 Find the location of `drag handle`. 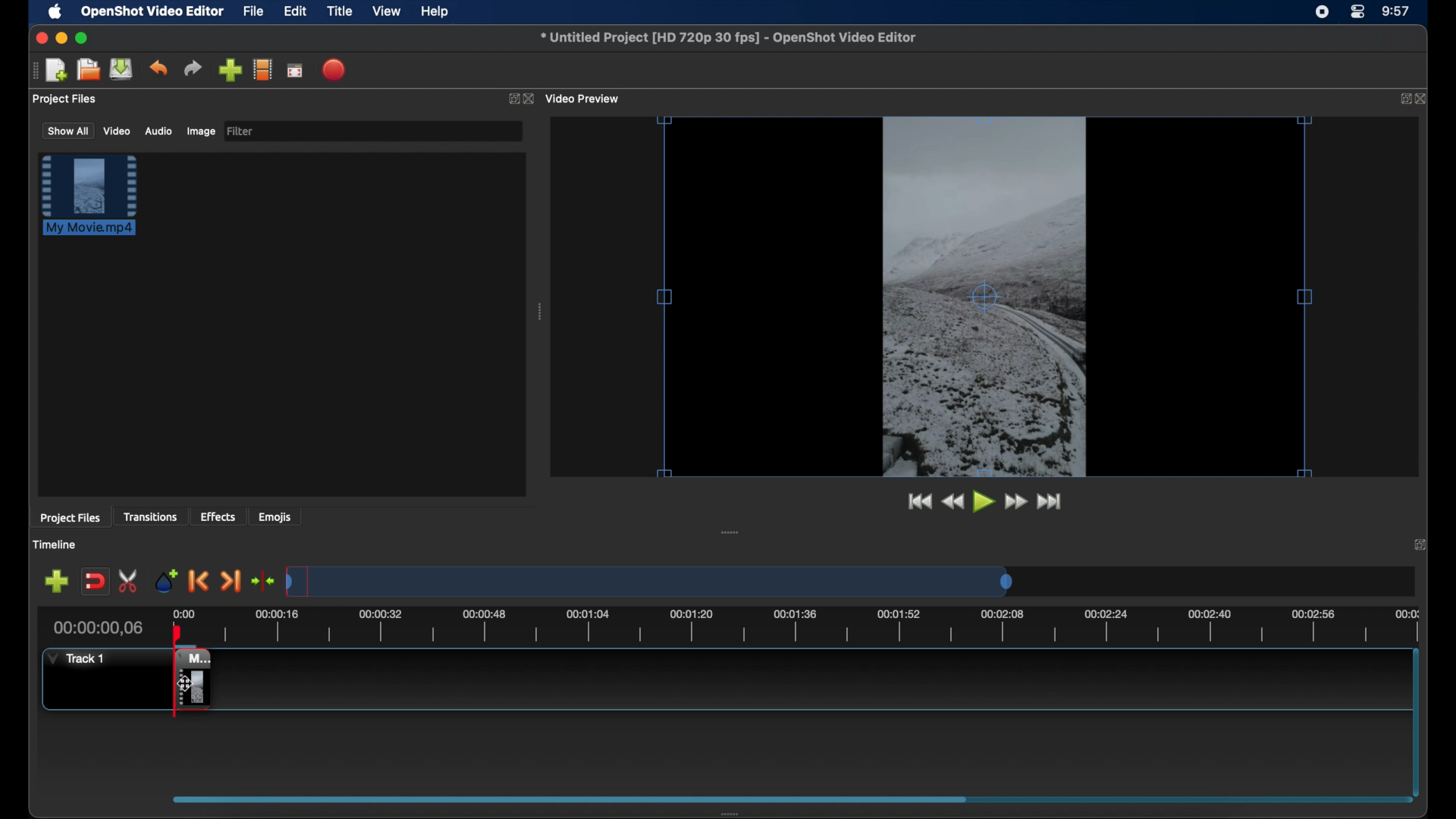

drag handle is located at coordinates (735, 813).